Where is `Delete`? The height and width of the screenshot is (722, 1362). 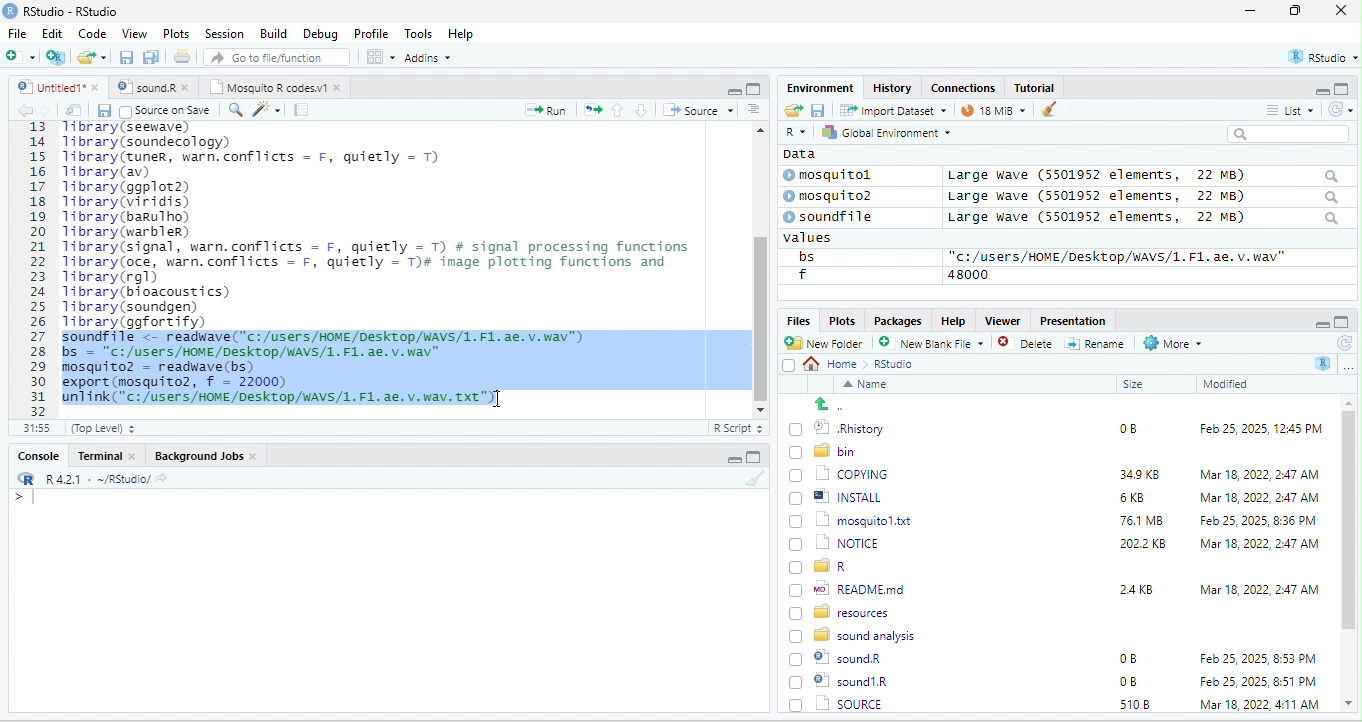 Delete is located at coordinates (1028, 344).